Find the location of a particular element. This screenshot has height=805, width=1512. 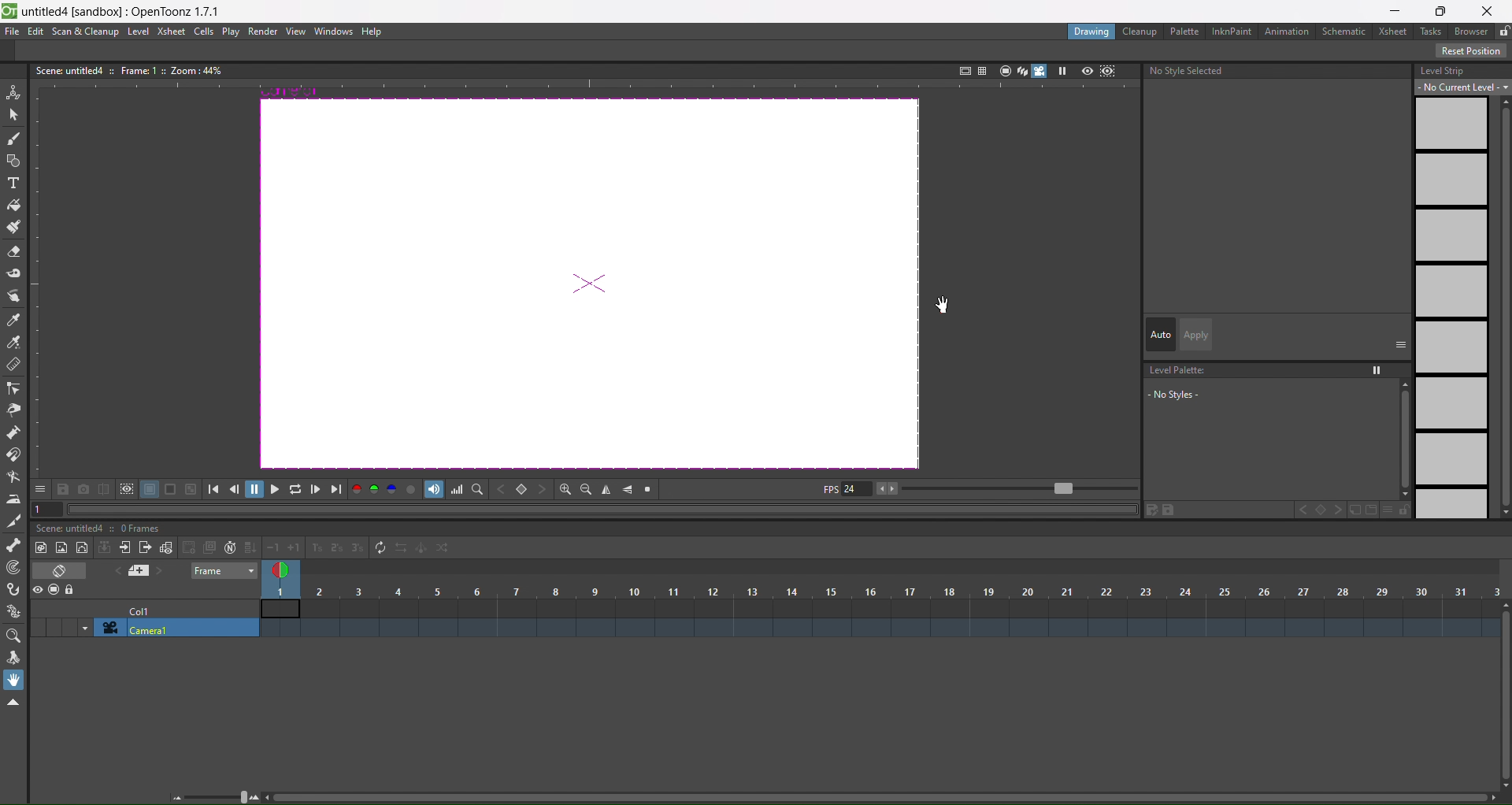

reset view is located at coordinates (650, 489).